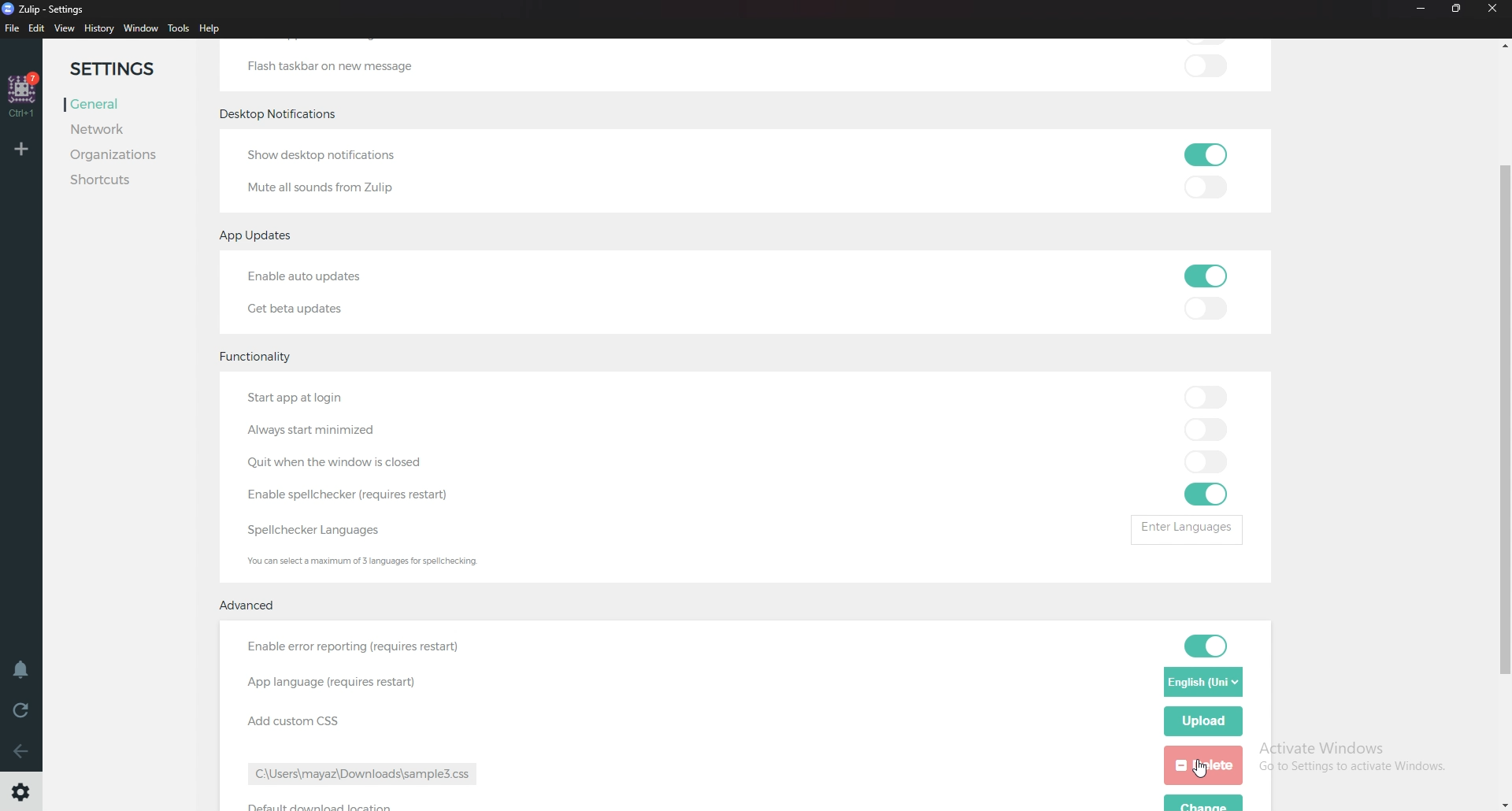 The image size is (1512, 811). What do you see at coordinates (291, 723) in the screenshot?
I see `Add custom css` at bounding box center [291, 723].